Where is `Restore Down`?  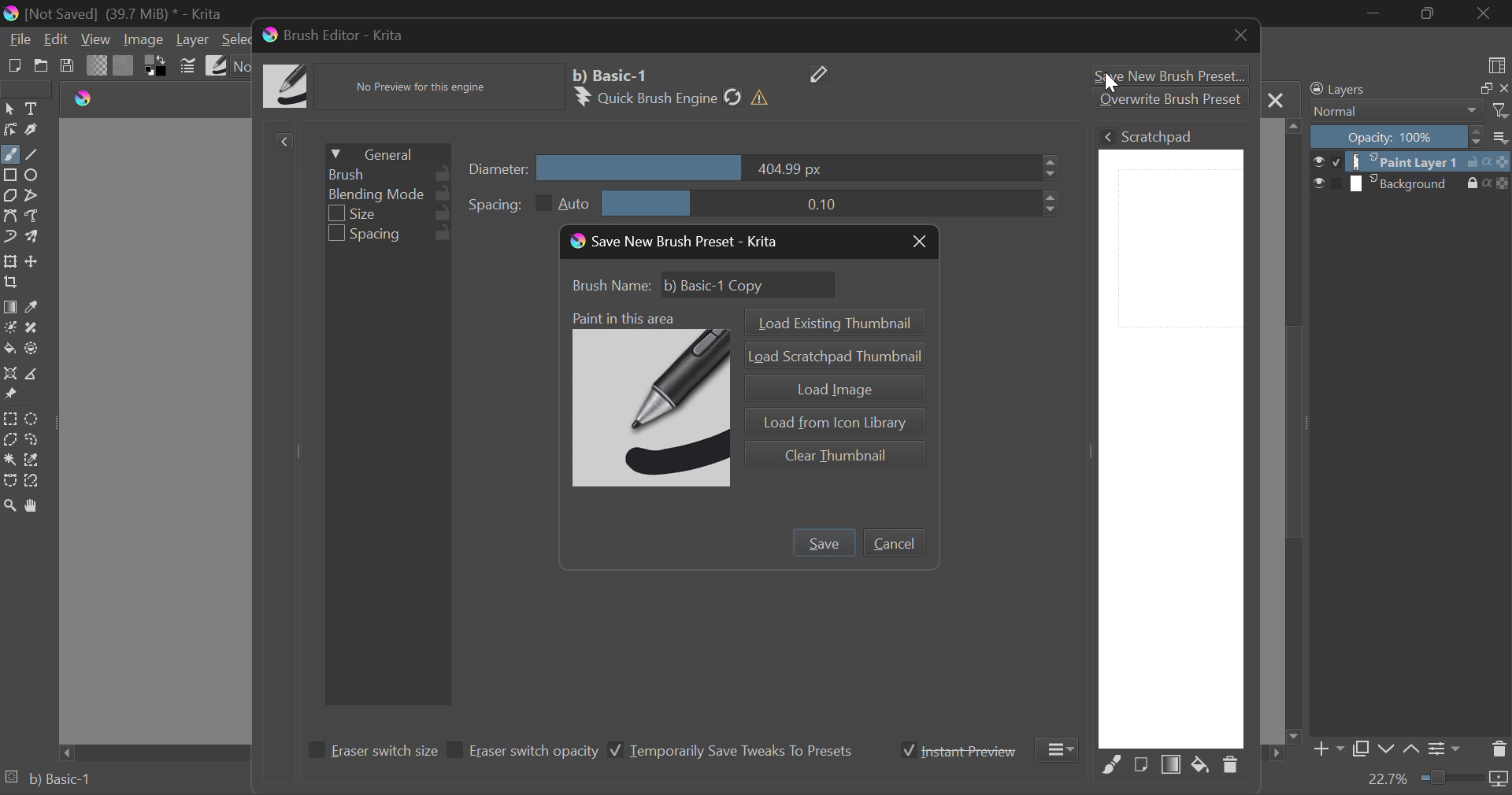
Restore Down is located at coordinates (1374, 15).